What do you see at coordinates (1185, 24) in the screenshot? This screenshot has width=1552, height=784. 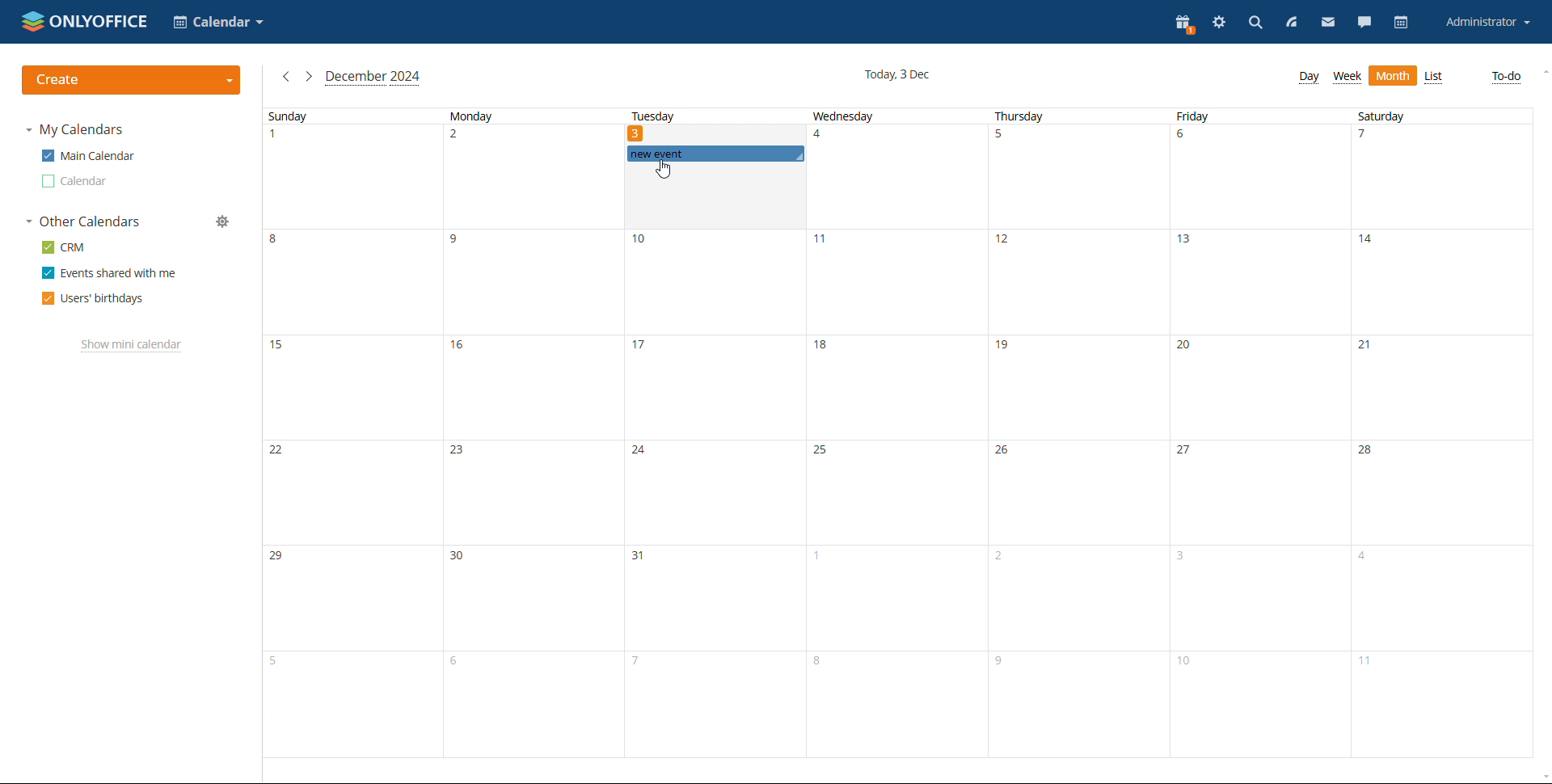 I see `present` at bounding box center [1185, 24].